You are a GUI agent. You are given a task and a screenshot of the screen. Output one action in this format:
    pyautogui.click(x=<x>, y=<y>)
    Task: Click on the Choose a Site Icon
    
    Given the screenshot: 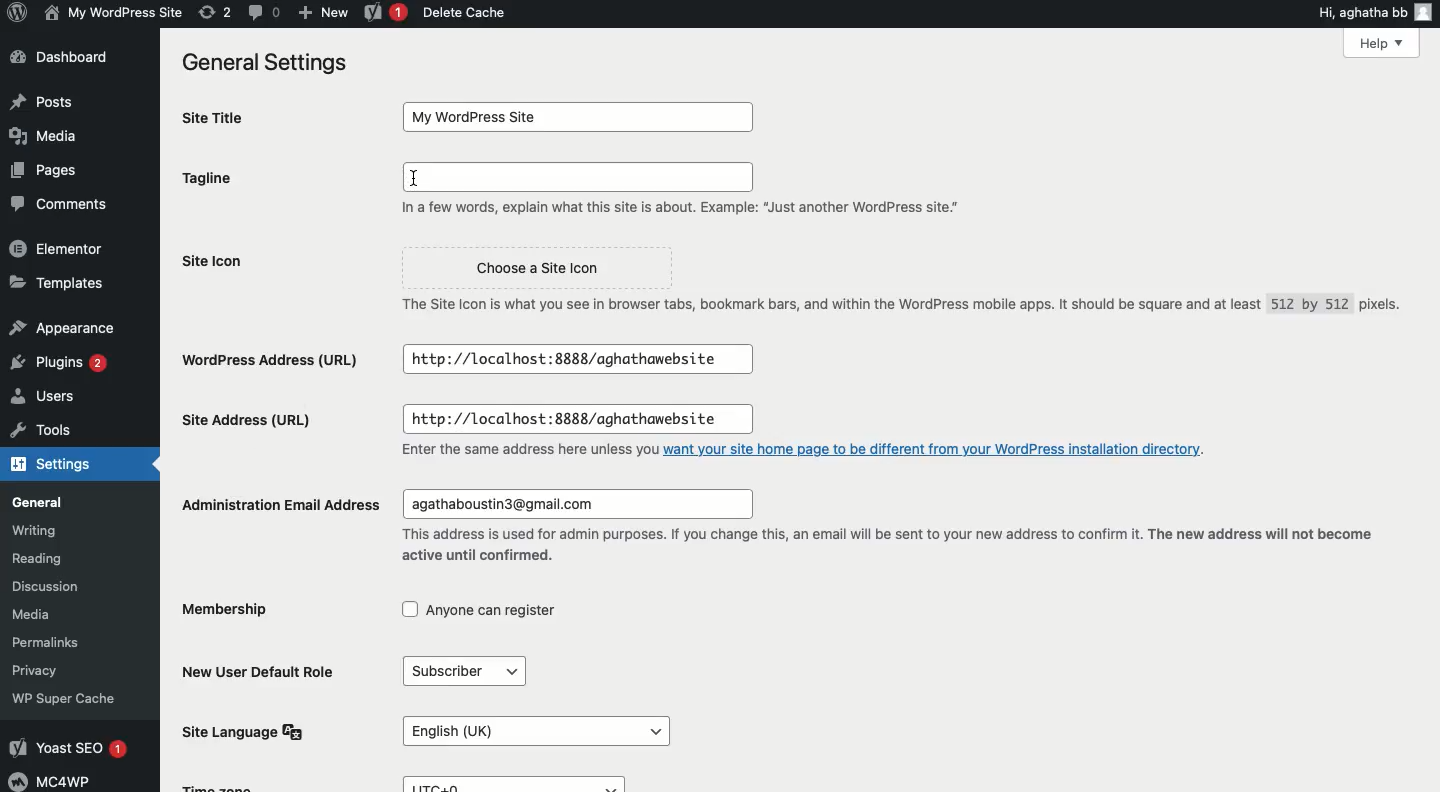 What is the action you would take?
    pyautogui.click(x=543, y=264)
    